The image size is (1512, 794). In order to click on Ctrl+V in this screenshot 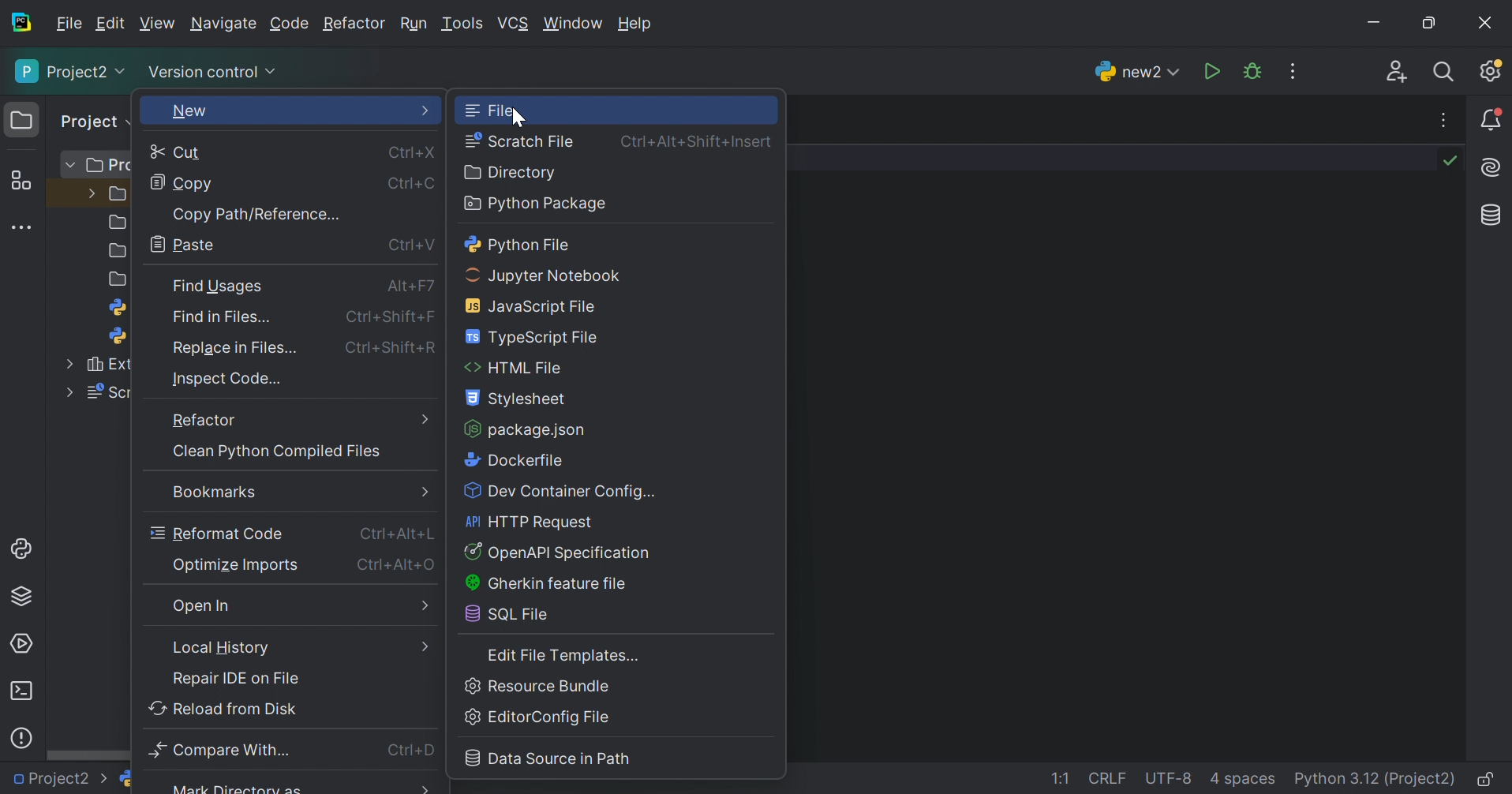, I will do `click(410, 245)`.